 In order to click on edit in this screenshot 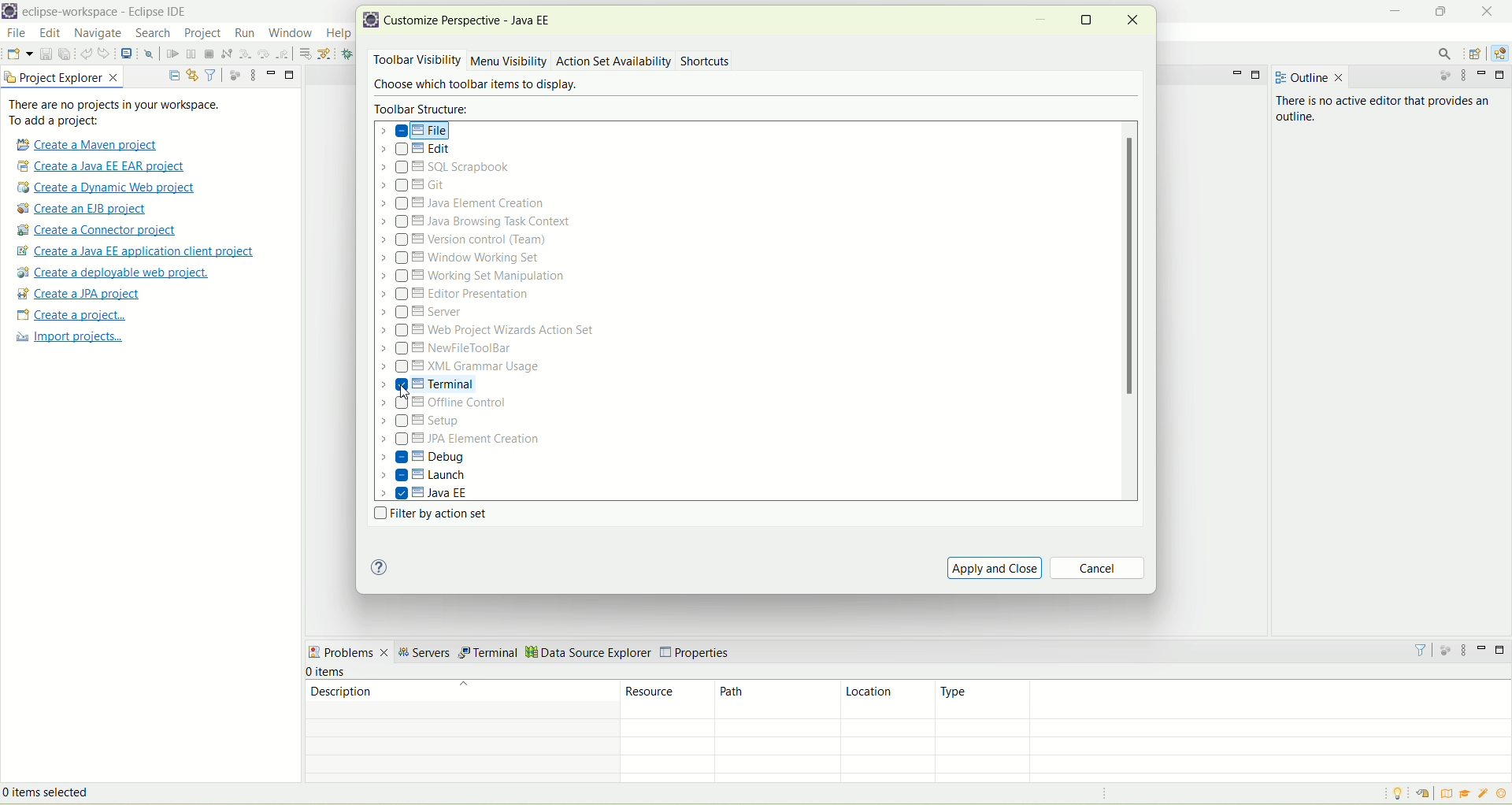, I will do `click(420, 151)`.